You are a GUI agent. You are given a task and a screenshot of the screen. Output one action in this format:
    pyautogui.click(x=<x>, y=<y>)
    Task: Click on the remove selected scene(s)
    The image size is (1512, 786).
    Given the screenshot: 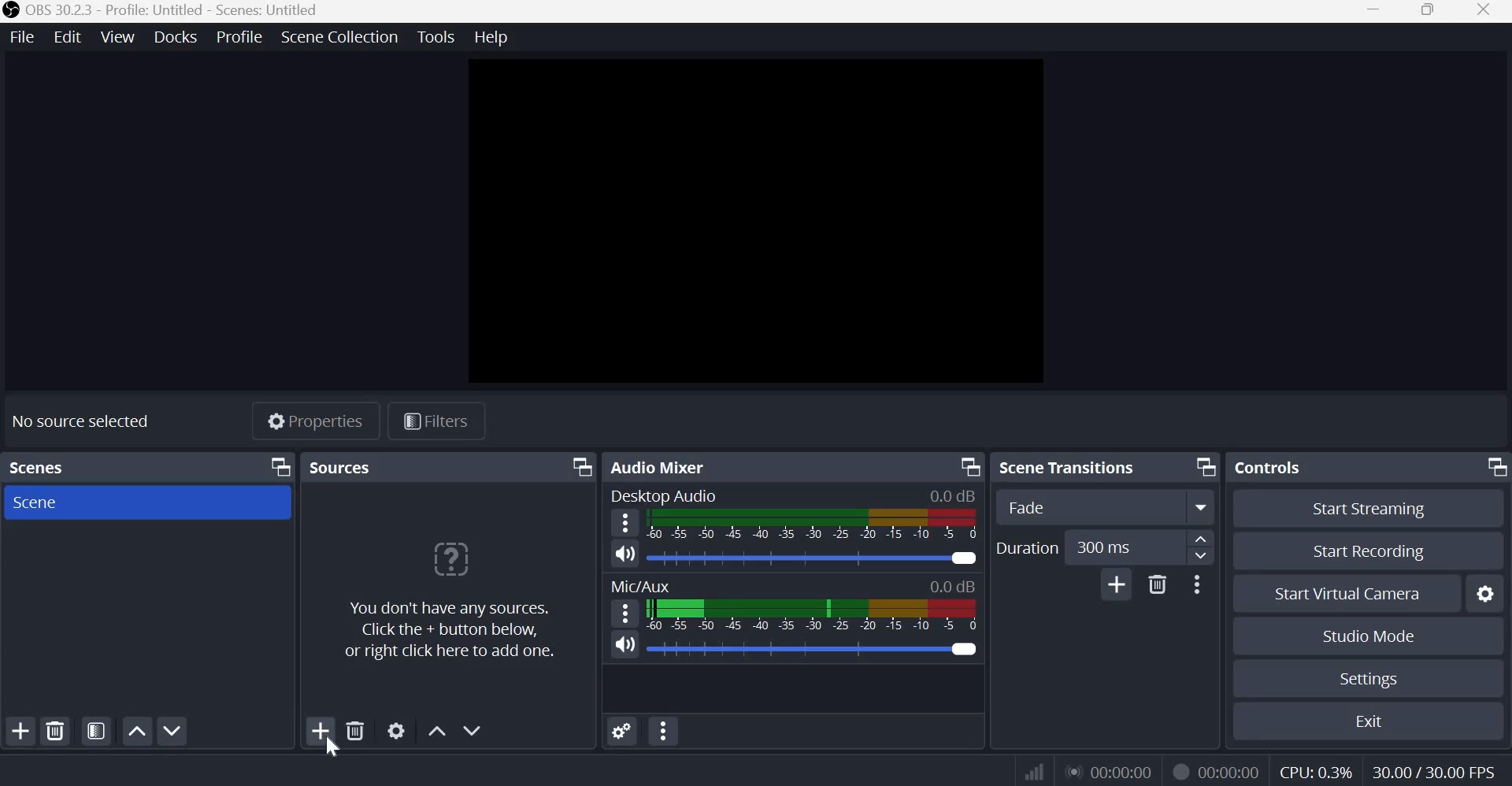 What is the action you would take?
    pyautogui.click(x=58, y=731)
    